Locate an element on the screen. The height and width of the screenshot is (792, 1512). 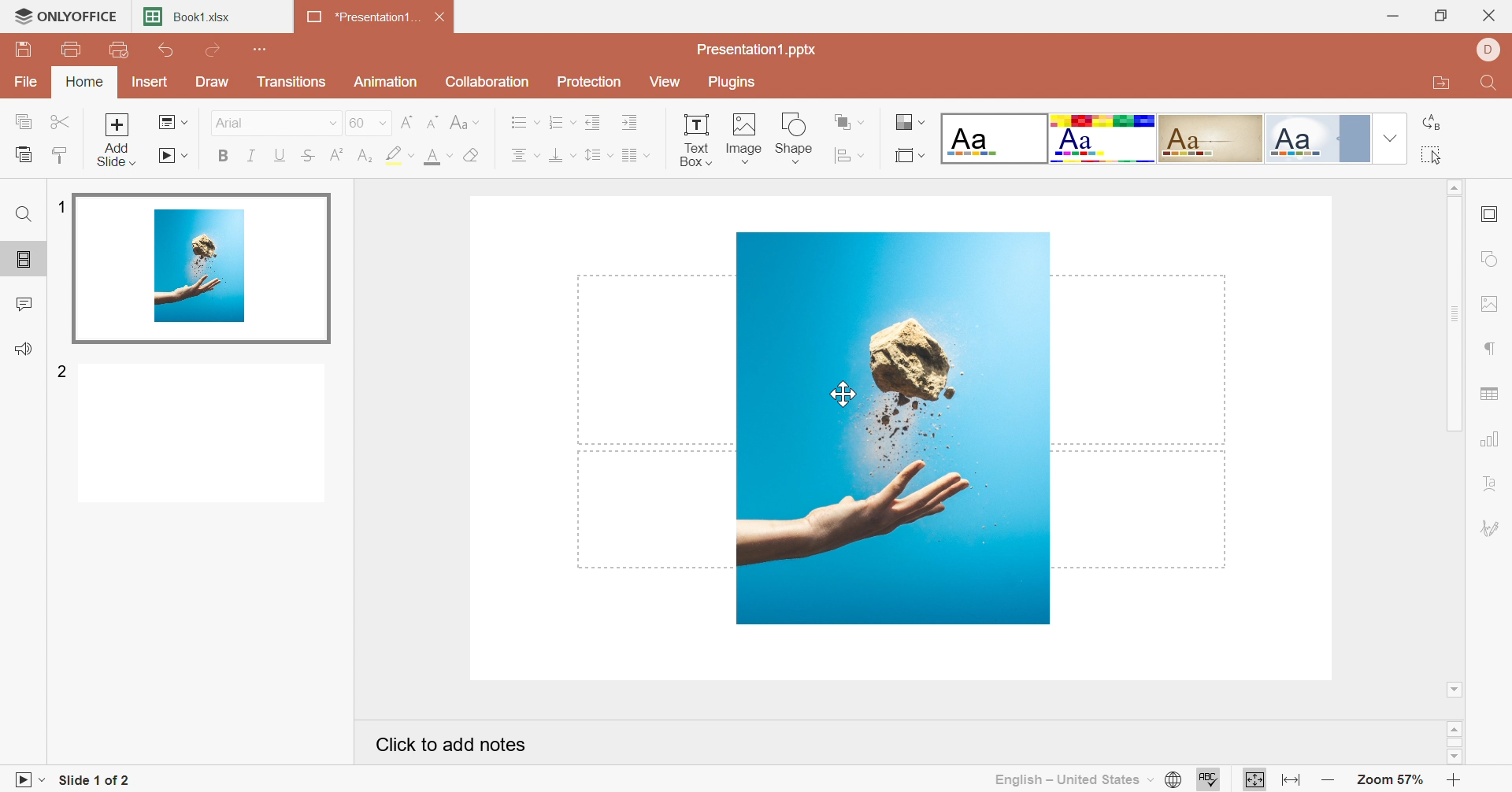
scroll up is located at coordinates (1455, 727).